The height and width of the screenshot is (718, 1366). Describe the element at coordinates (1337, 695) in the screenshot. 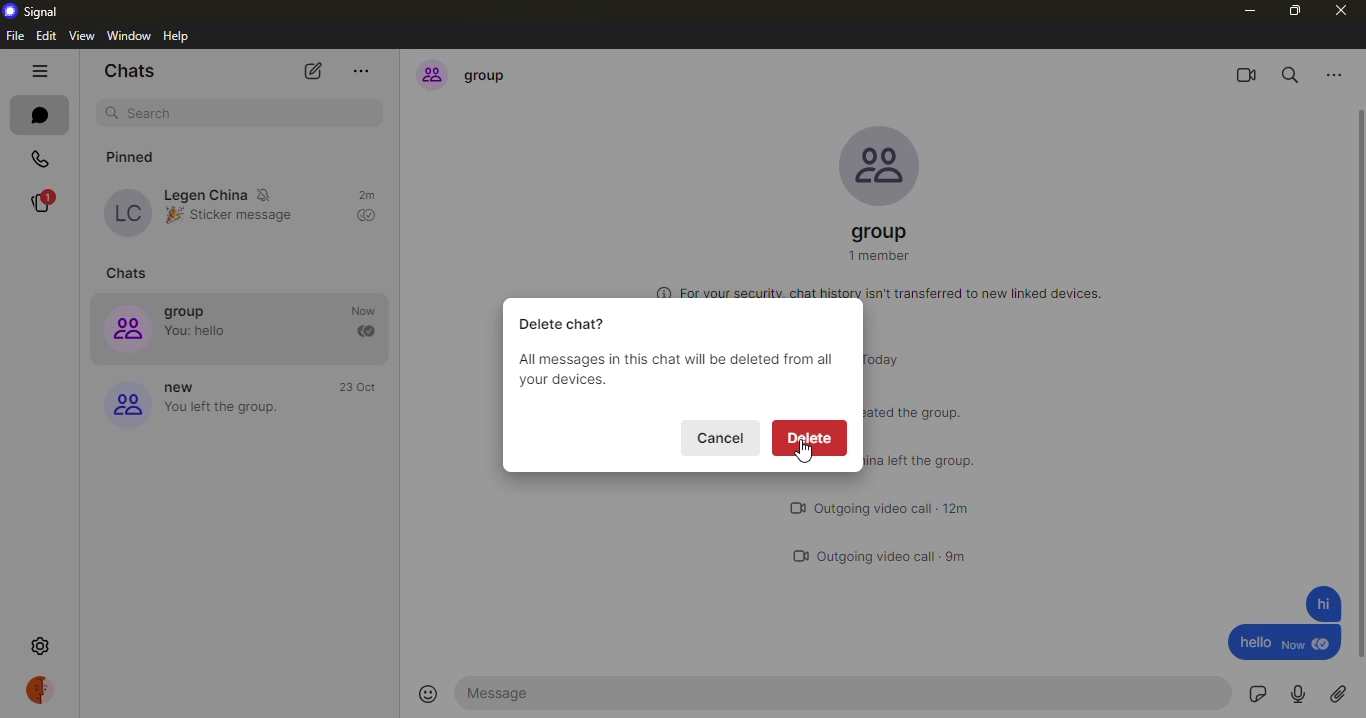

I see `attach` at that location.